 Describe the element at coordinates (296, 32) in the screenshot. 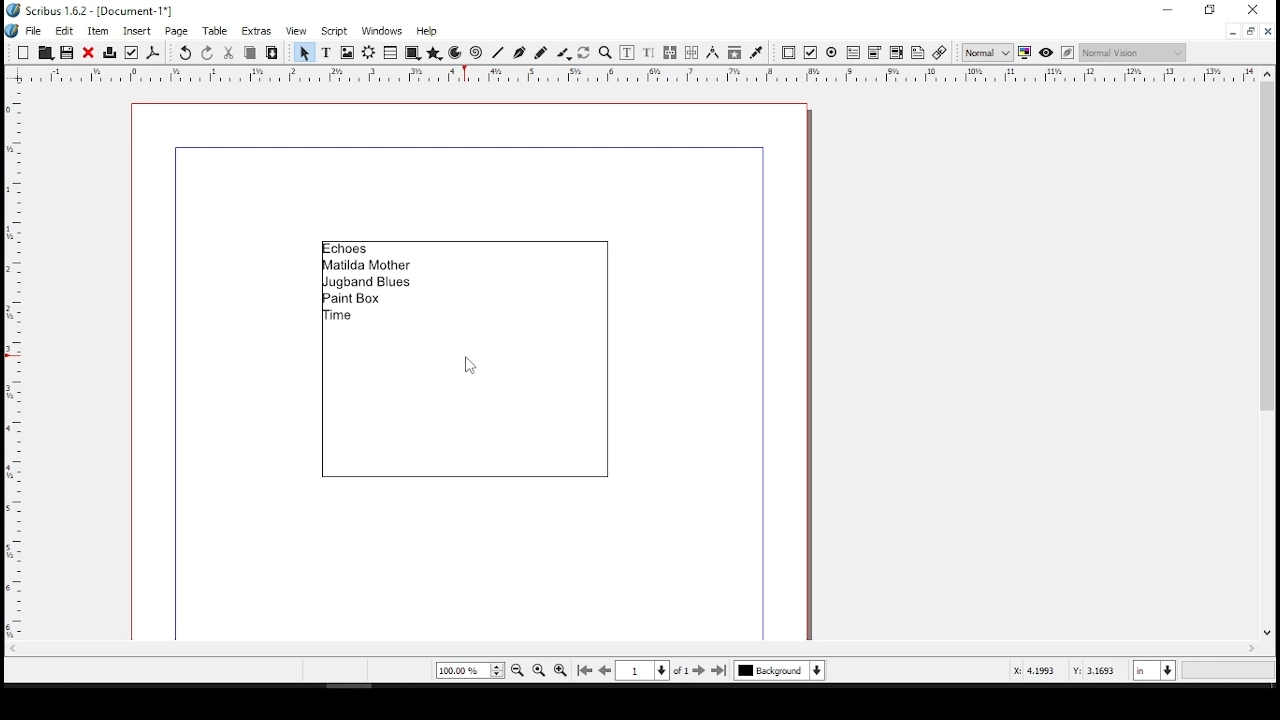

I see `view` at that location.